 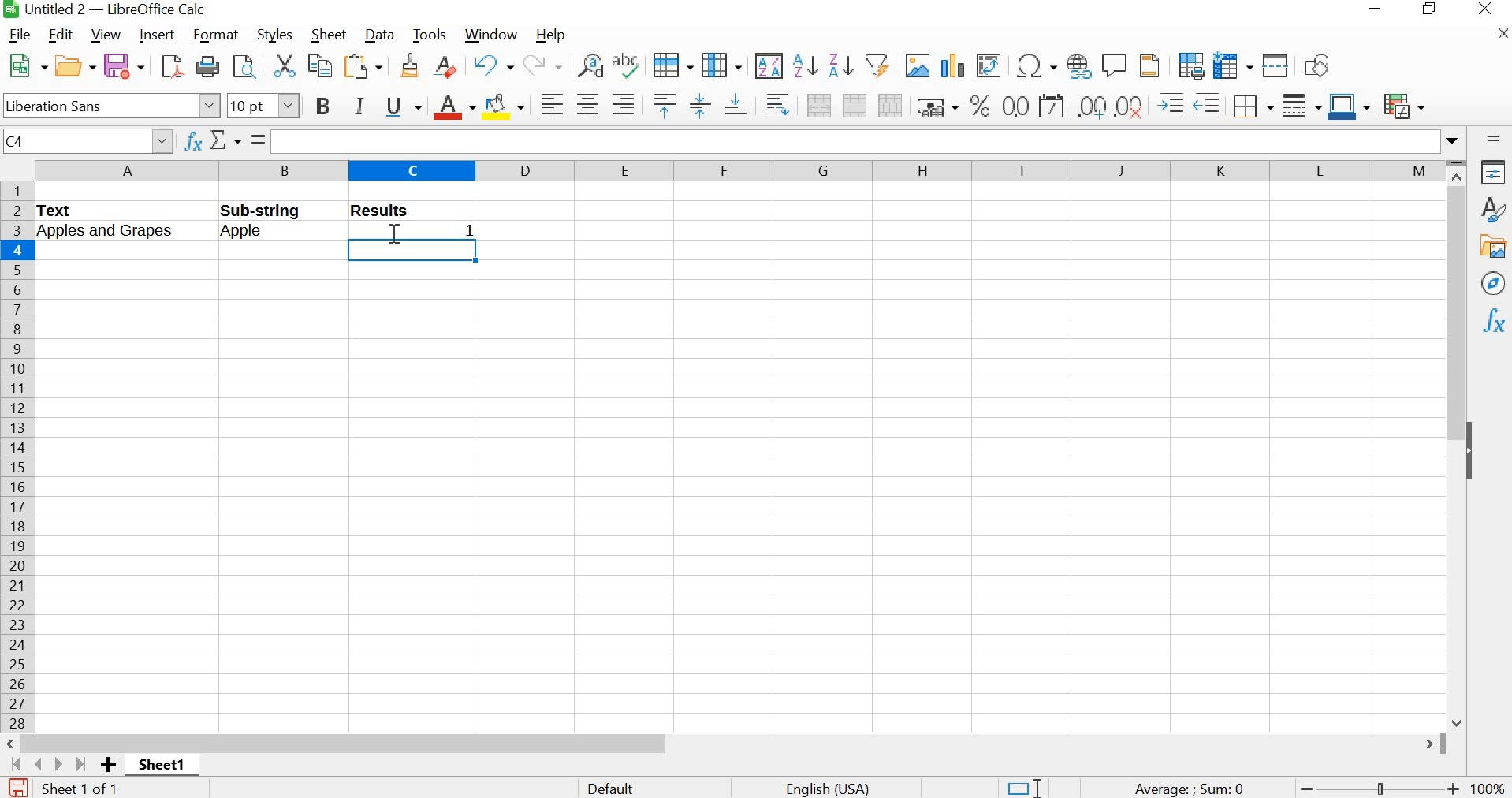 What do you see at coordinates (452, 107) in the screenshot?
I see `font color` at bounding box center [452, 107].